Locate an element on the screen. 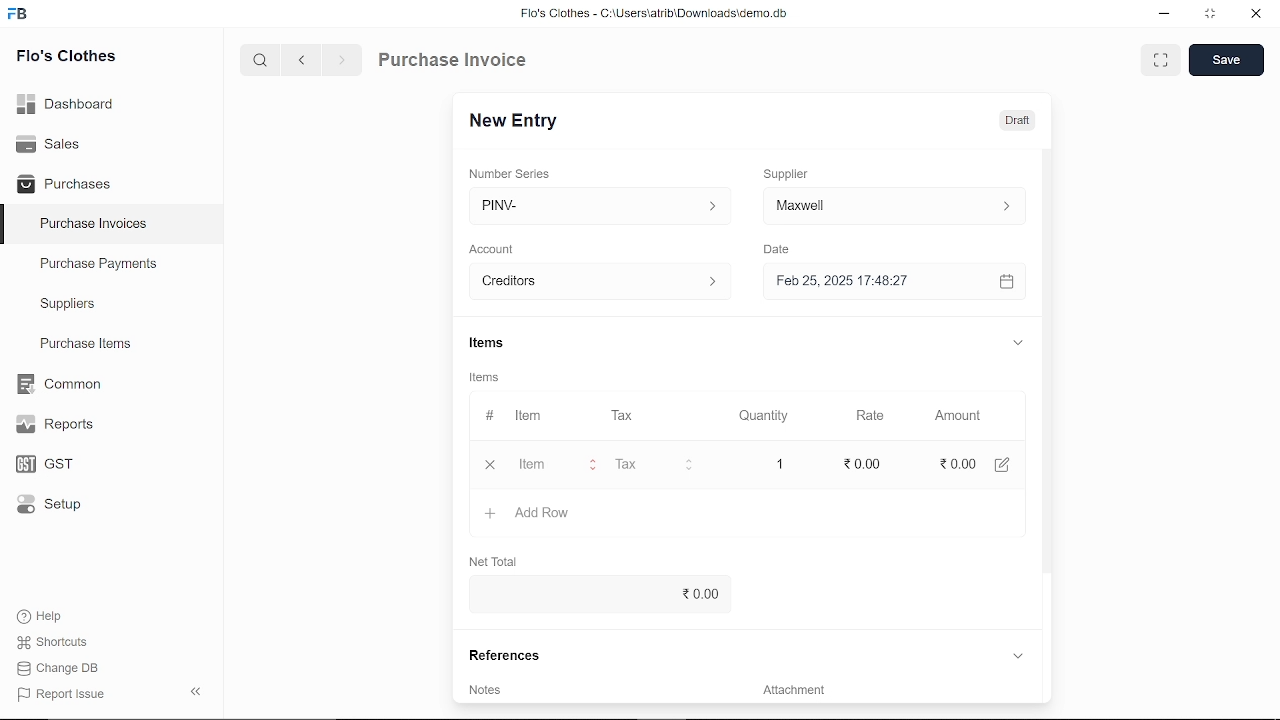 This screenshot has height=720, width=1280. Draft is located at coordinates (1017, 121).